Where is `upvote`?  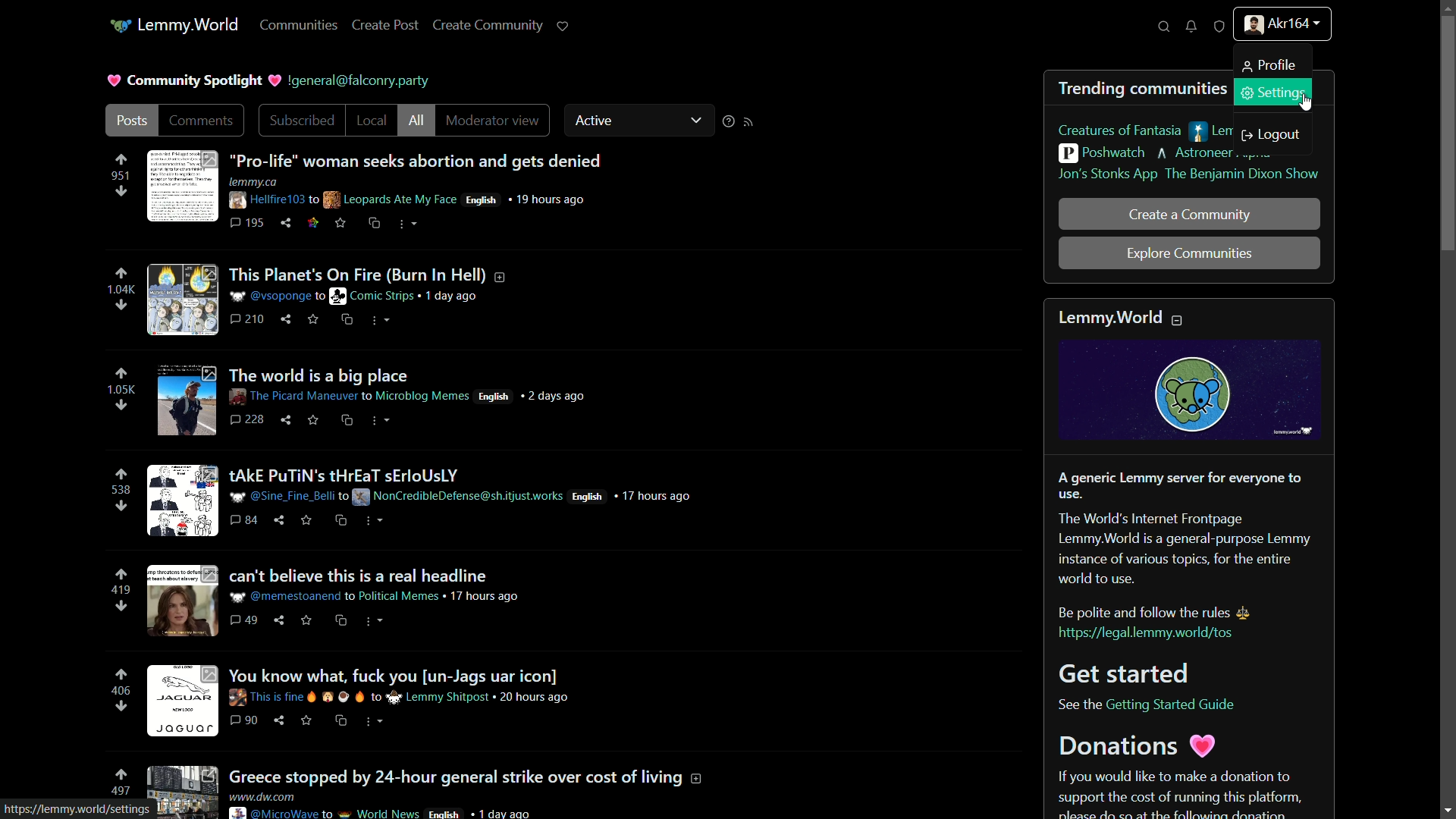
upvote is located at coordinates (124, 675).